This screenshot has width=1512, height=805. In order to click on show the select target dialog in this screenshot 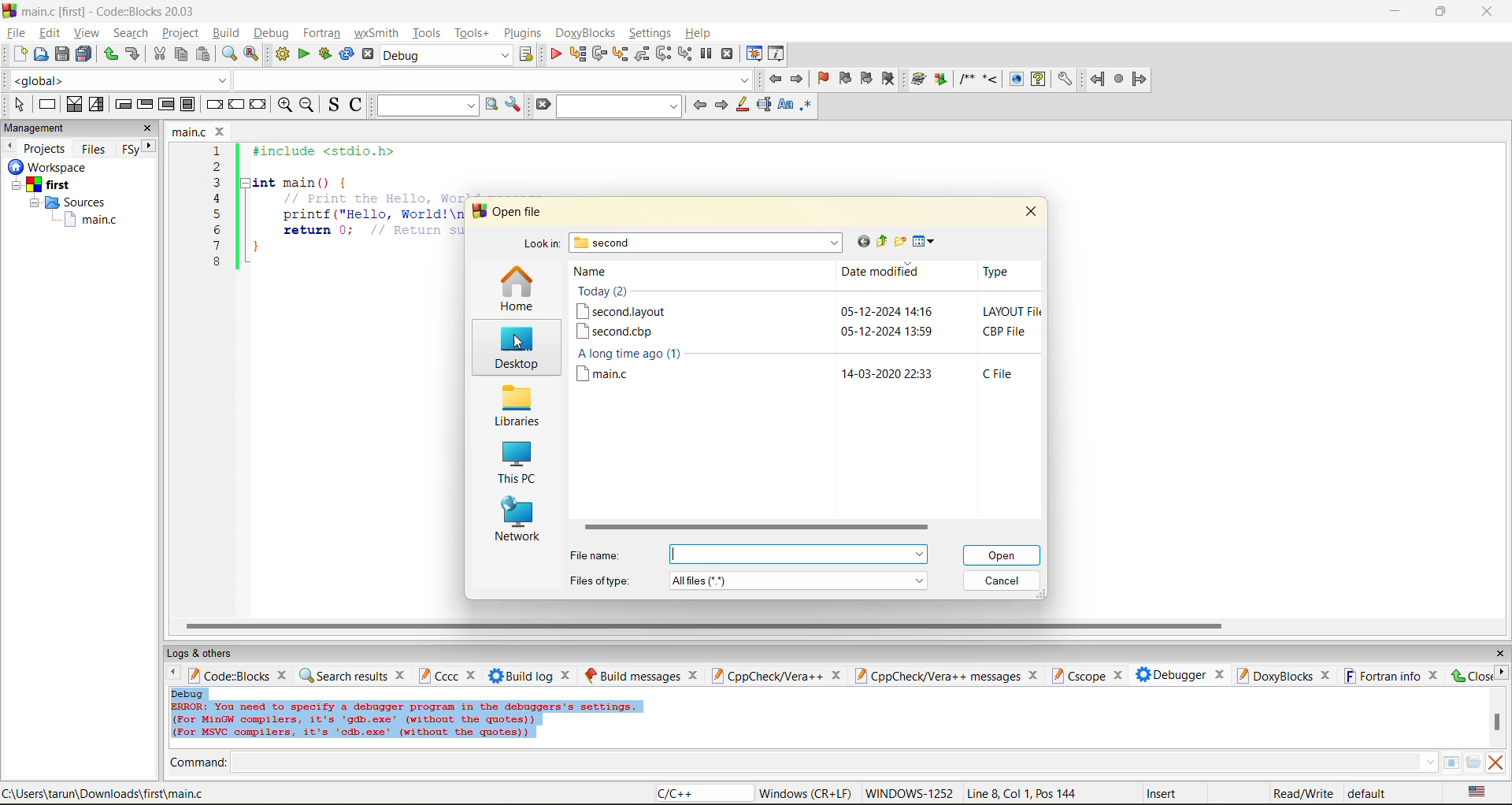, I will do `click(528, 54)`.